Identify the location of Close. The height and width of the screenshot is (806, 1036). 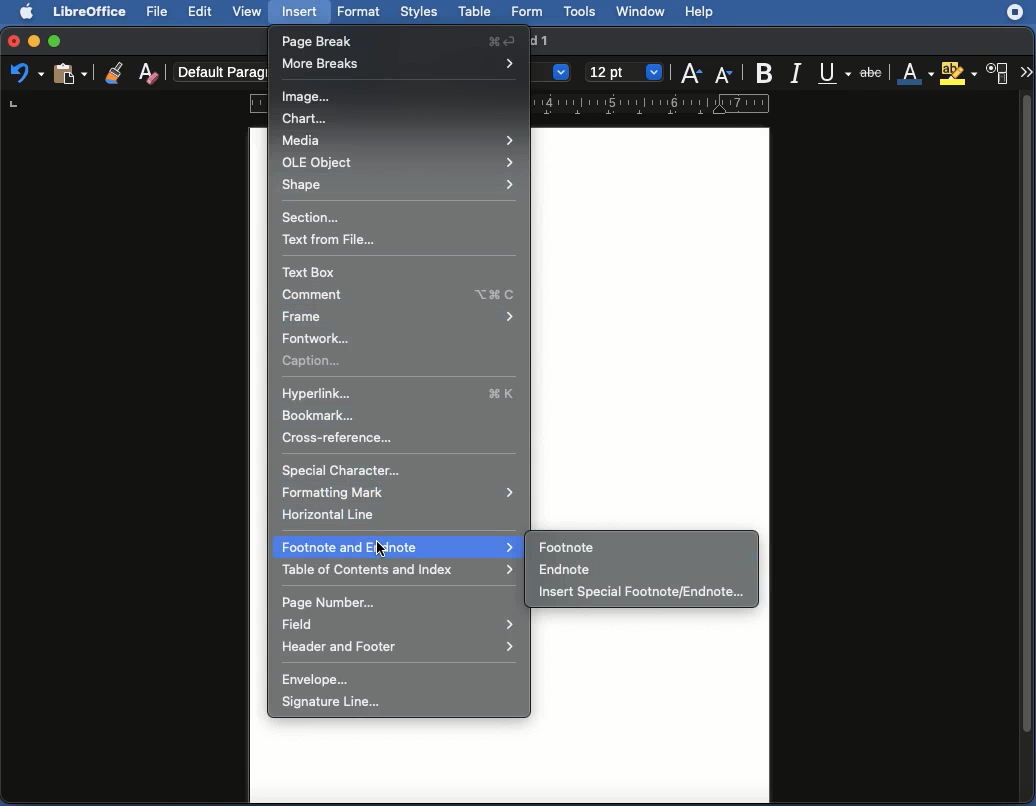
(10, 41).